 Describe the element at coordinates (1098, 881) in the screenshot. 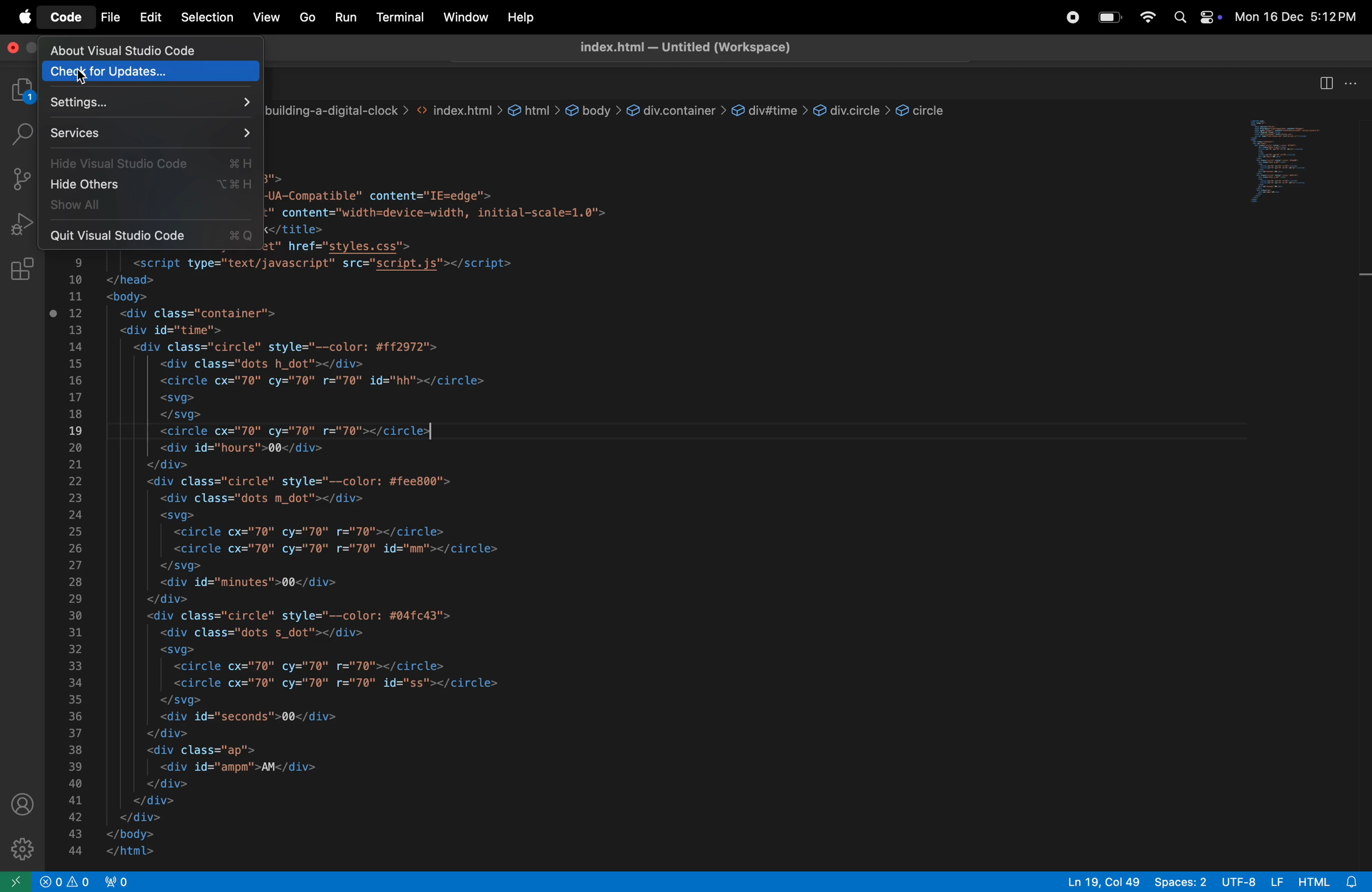

I see `Ln 19, Col 49` at that location.